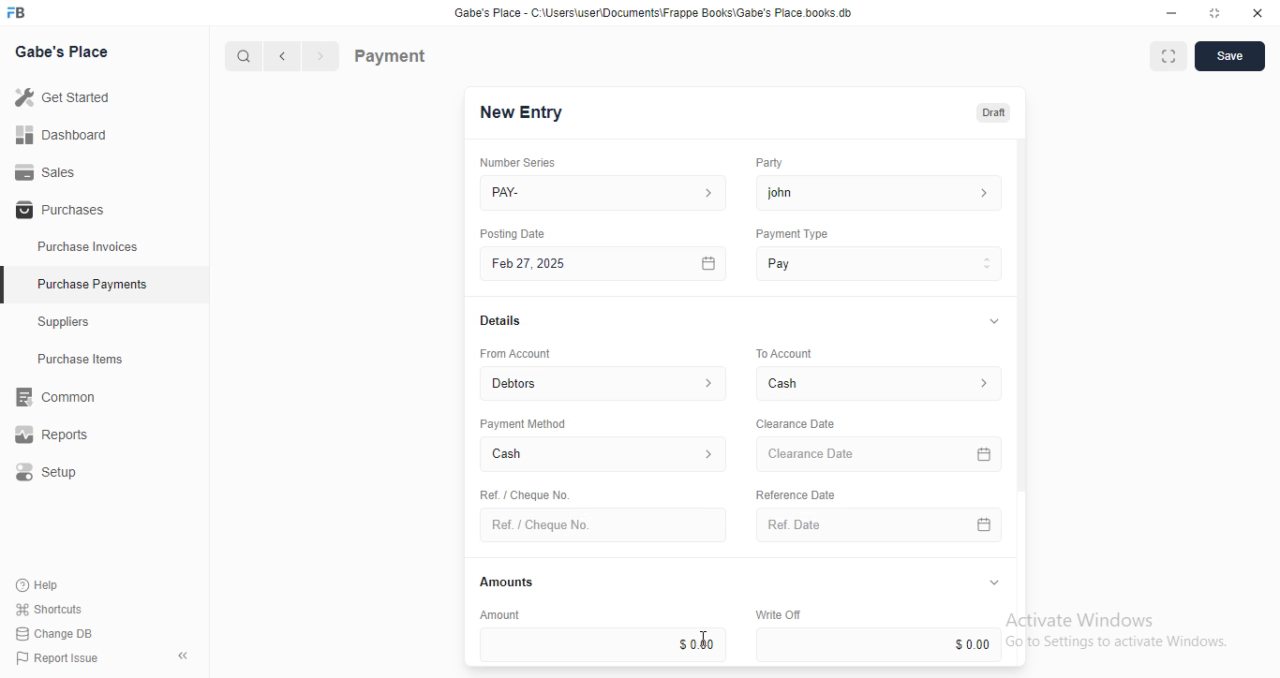 The width and height of the screenshot is (1280, 678). I want to click on New Entry, so click(522, 113).